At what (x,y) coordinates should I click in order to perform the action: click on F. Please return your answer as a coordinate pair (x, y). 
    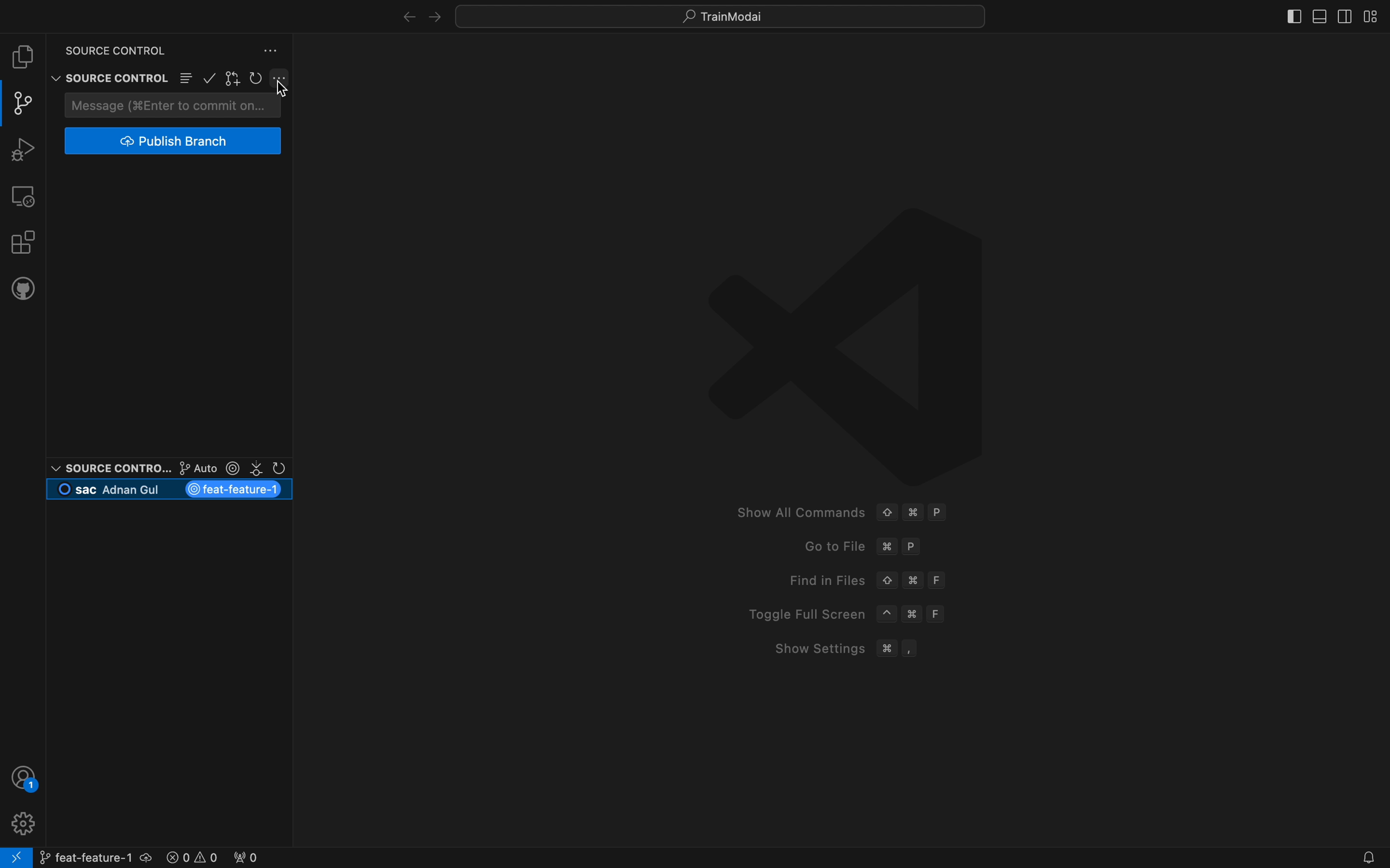
    Looking at the image, I should click on (940, 580).